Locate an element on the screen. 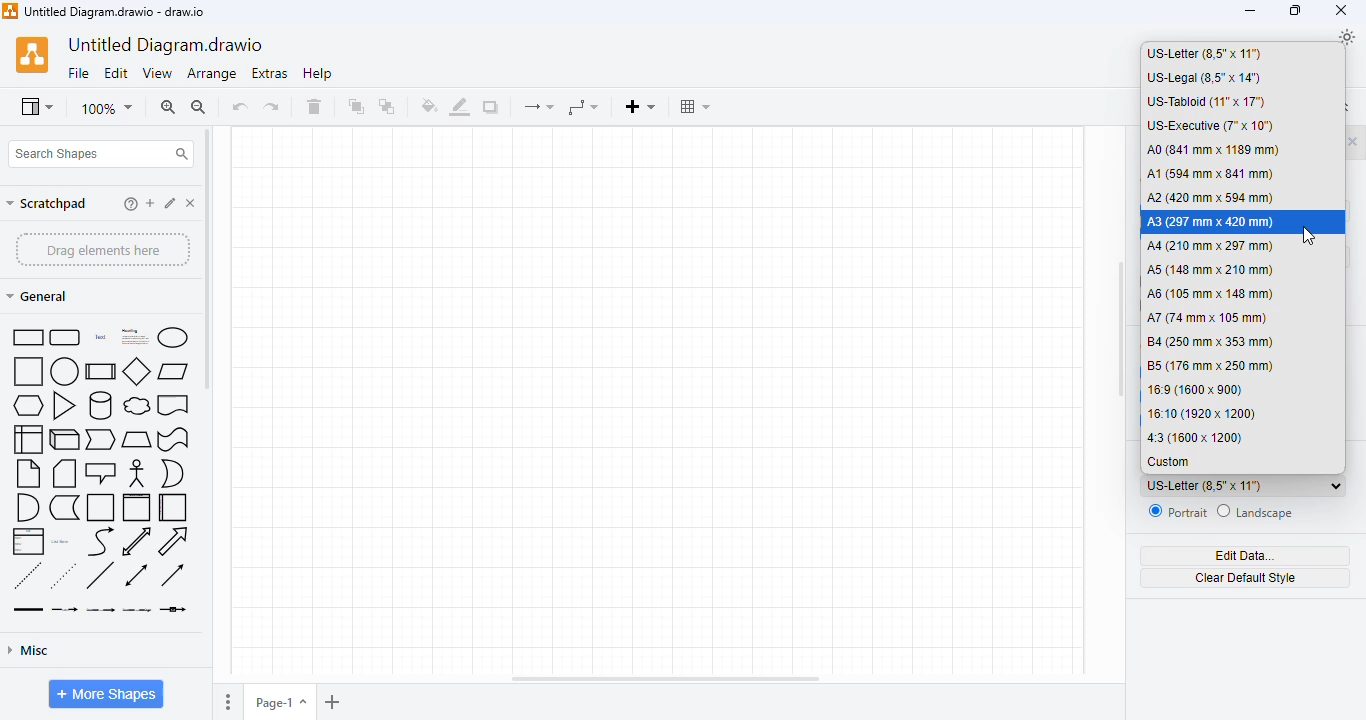  actor is located at coordinates (137, 473).